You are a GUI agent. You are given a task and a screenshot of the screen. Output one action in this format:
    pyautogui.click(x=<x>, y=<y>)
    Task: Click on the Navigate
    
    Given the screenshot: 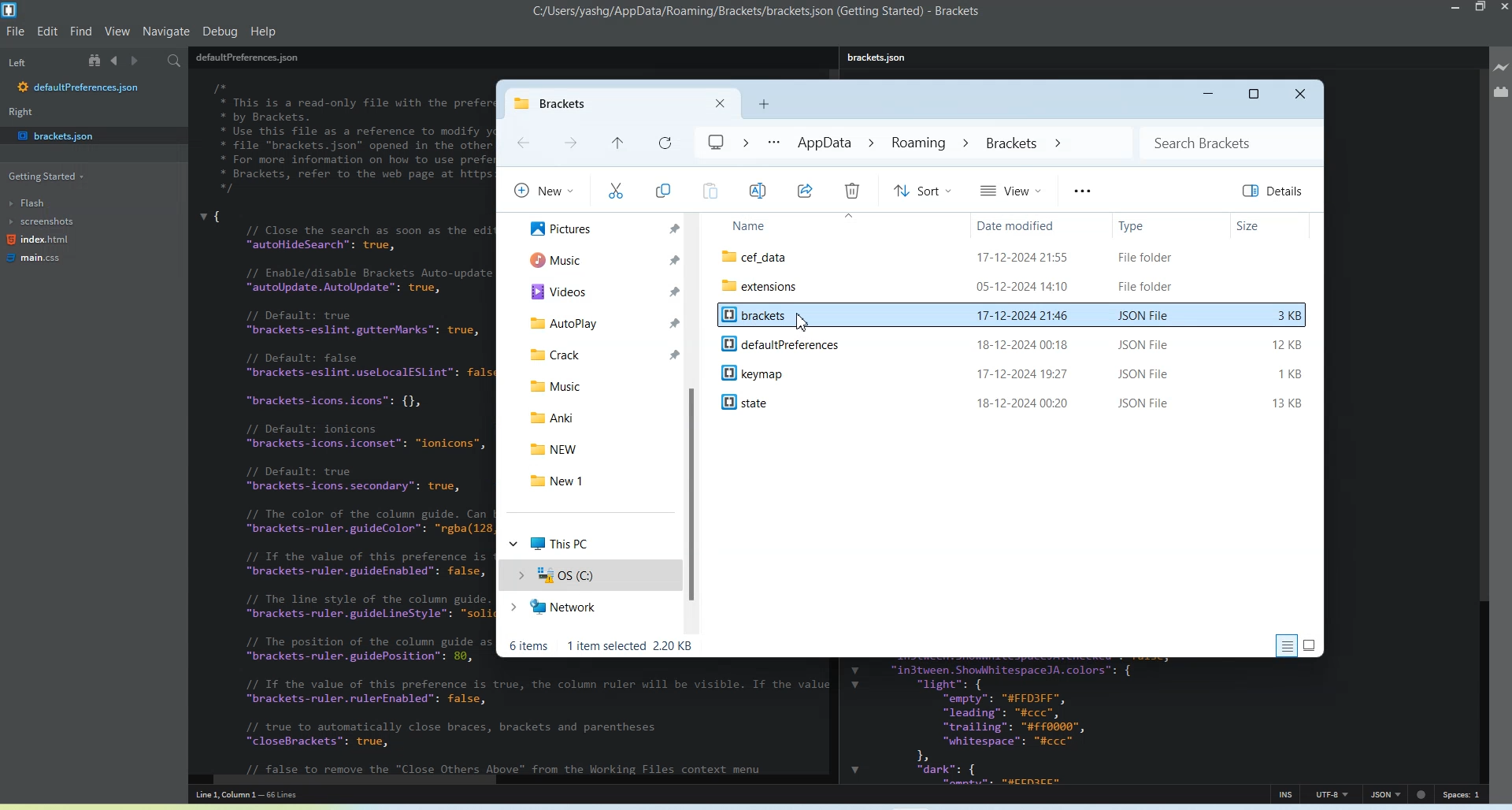 What is the action you would take?
    pyautogui.click(x=166, y=32)
    